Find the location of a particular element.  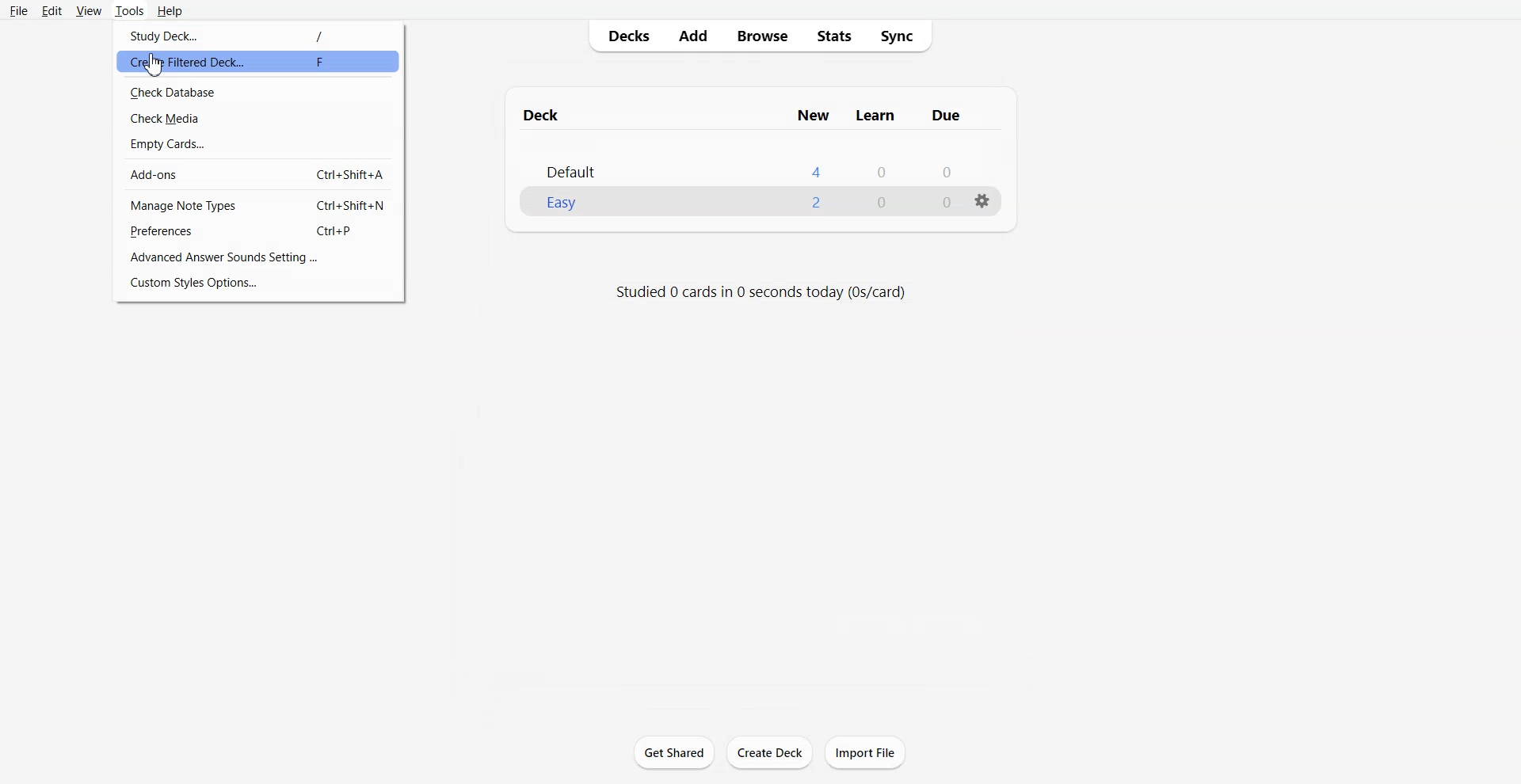

Check Database is located at coordinates (260, 90).